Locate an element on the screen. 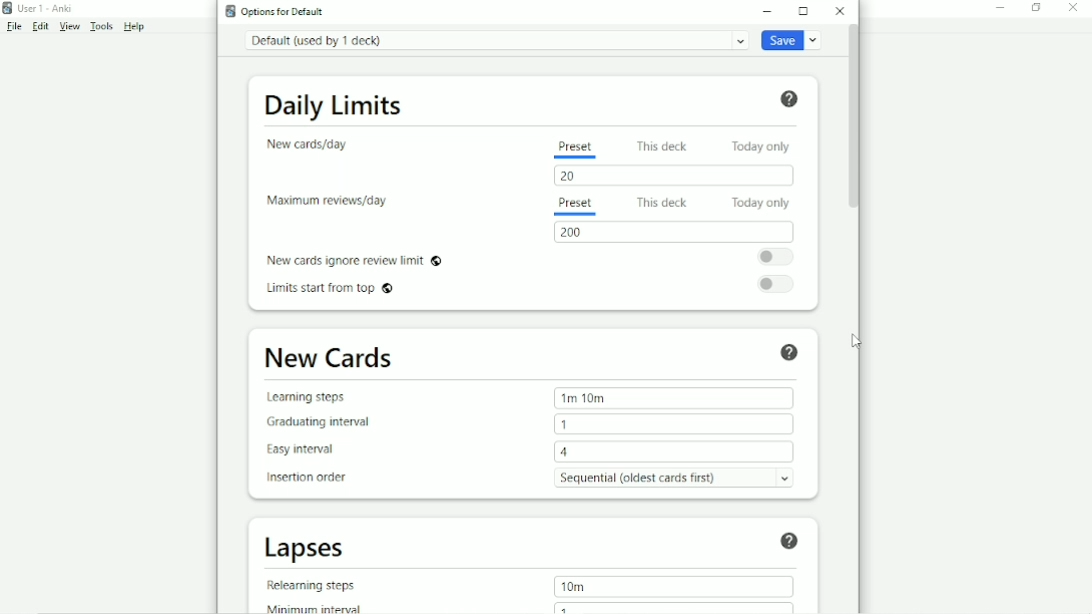 The height and width of the screenshot is (614, 1092). 1 is located at coordinates (674, 607).